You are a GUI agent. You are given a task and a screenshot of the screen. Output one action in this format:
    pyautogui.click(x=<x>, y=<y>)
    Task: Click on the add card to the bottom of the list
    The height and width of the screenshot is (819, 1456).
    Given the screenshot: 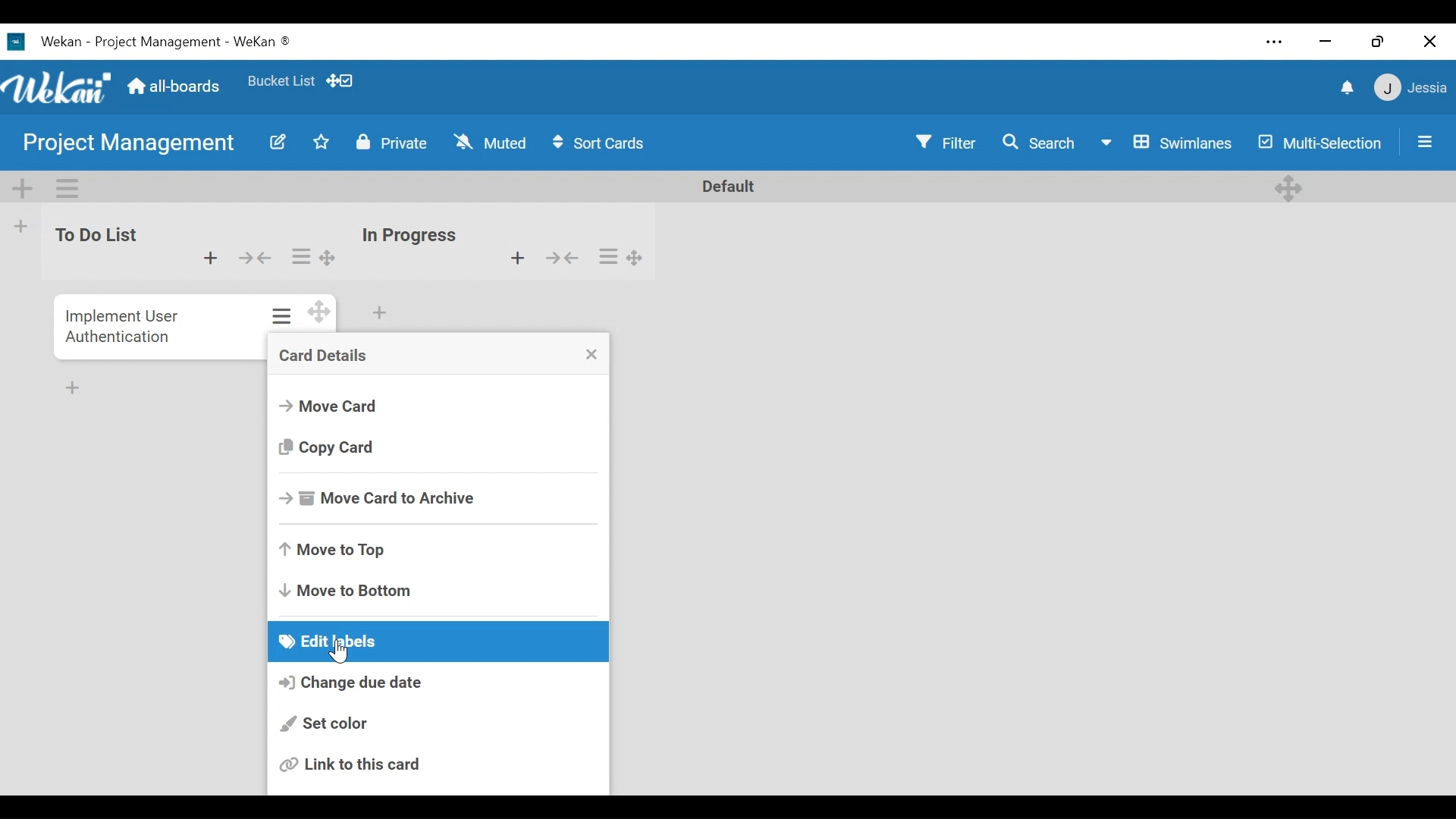 What is the action you would take?
    pyautogui.click(x=381, y=312)
    